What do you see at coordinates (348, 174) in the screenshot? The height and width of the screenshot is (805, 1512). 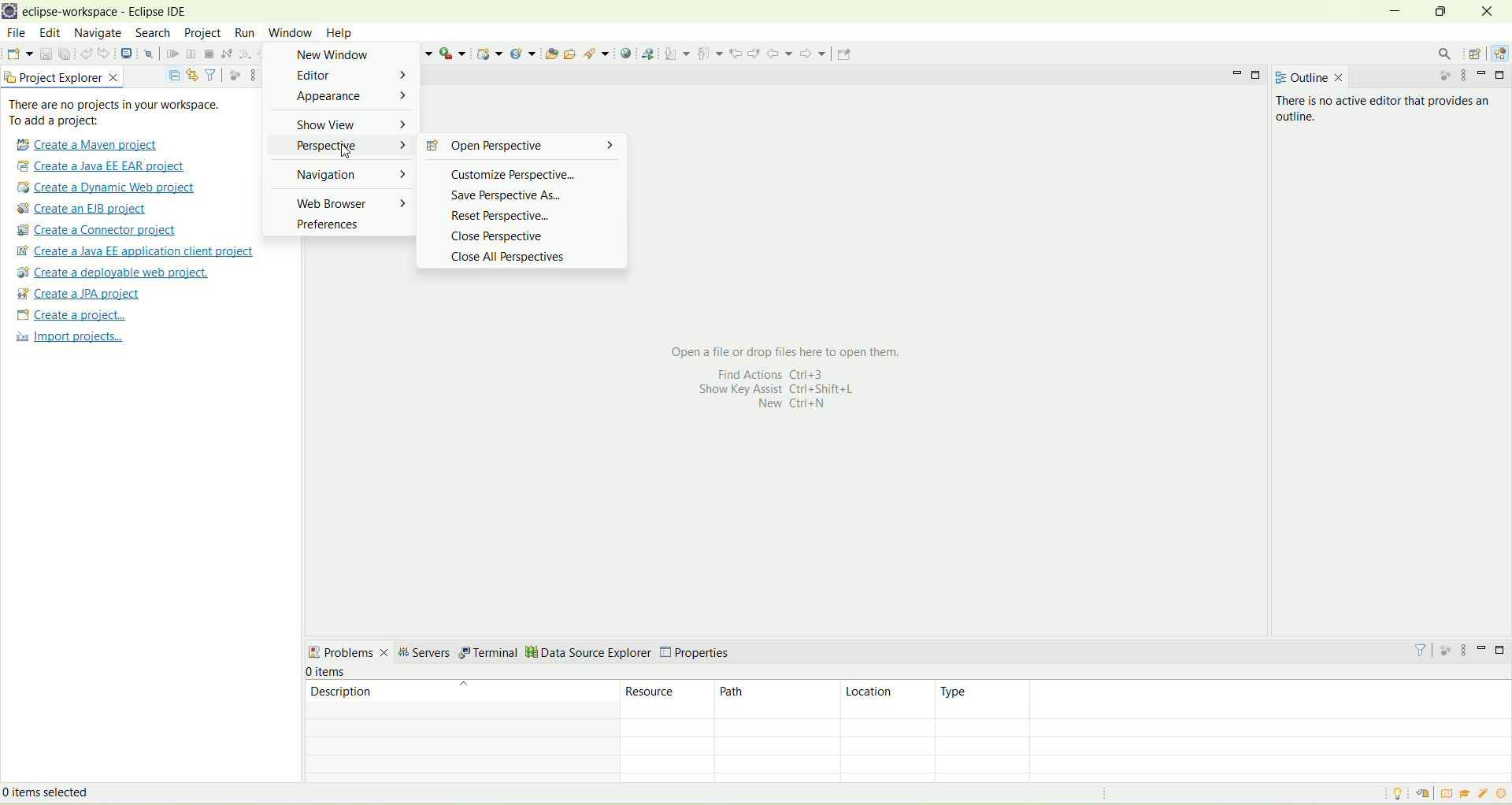 I see `navigation` at bounding box center [348, 174].